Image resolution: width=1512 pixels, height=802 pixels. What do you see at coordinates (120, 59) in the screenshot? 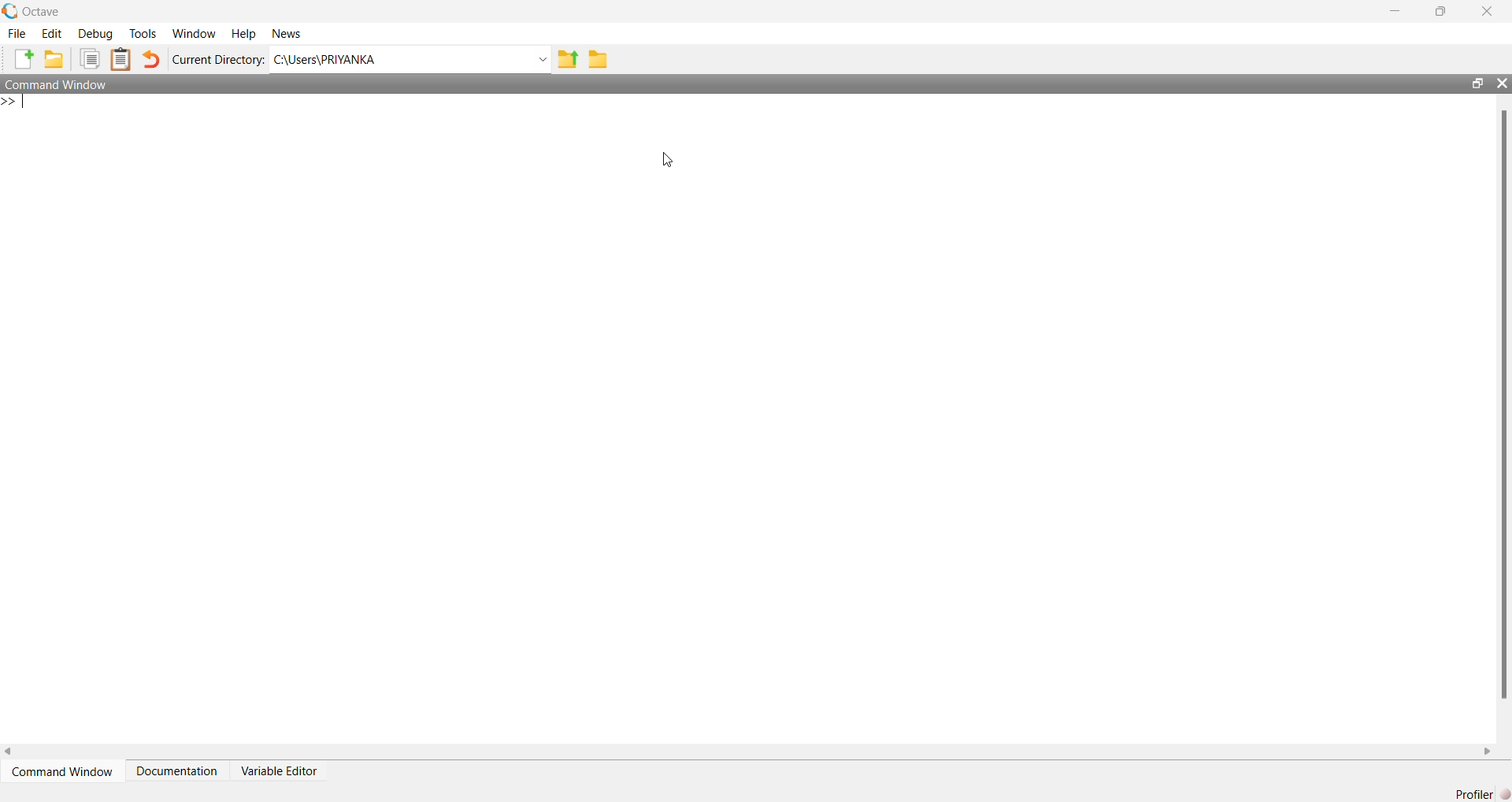
I see `Clipboard` at bounding box center [120, 59].